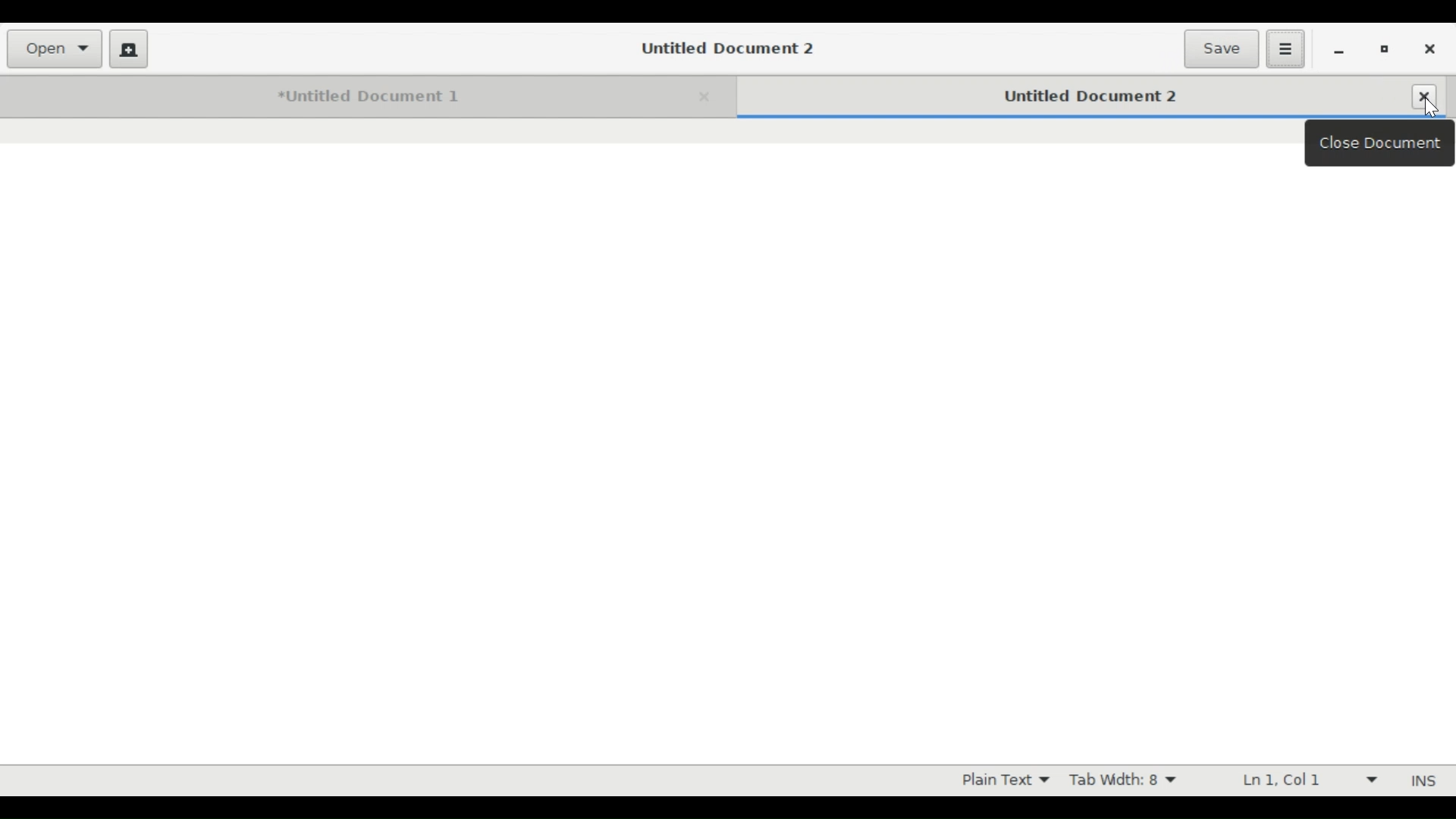 This screenshot has width=1456, height=819. Describe the element at coordinates (1426, 110) in the screenshot. I see `Close` at that location.